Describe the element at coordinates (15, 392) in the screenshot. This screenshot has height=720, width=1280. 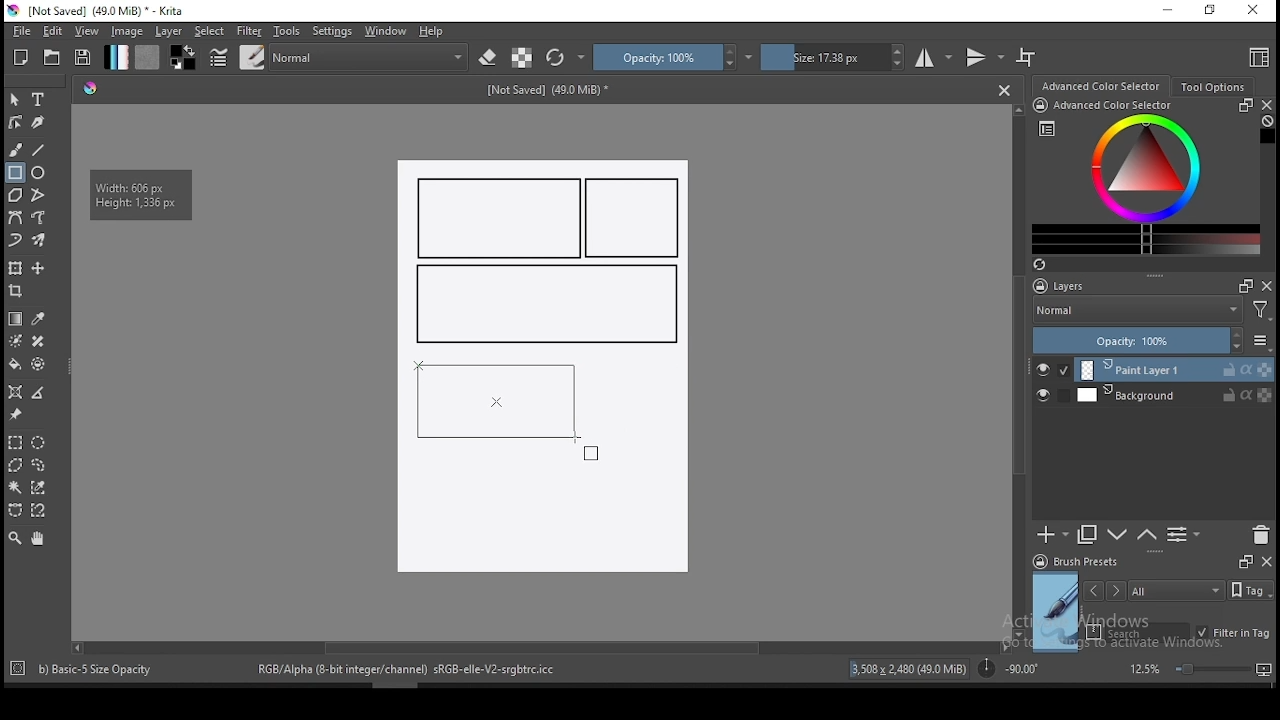
I see `assistant tool` at that location.